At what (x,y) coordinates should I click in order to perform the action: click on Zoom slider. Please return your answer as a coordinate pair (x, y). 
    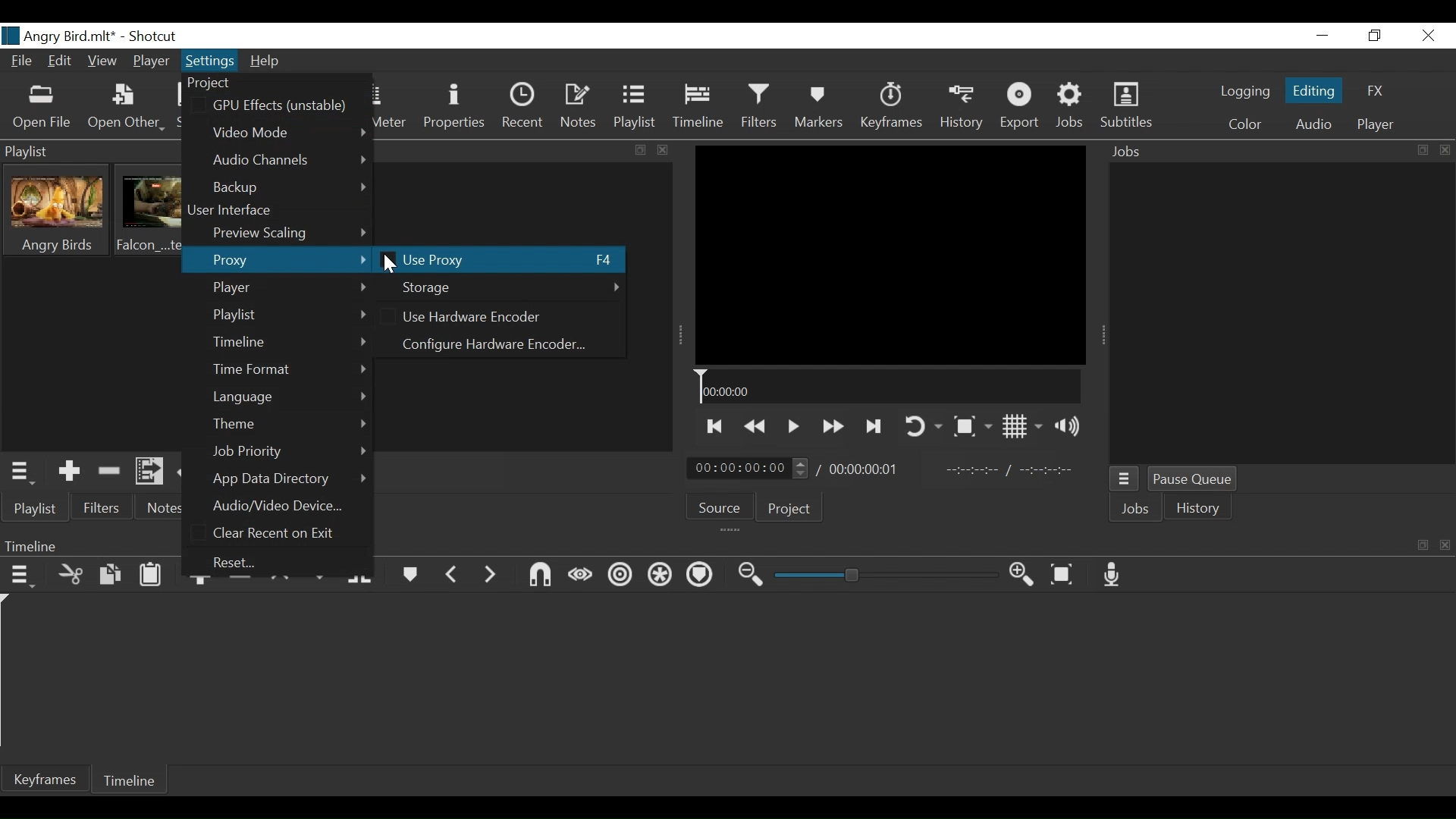
    Looking at the image, I should click on (879, 576).